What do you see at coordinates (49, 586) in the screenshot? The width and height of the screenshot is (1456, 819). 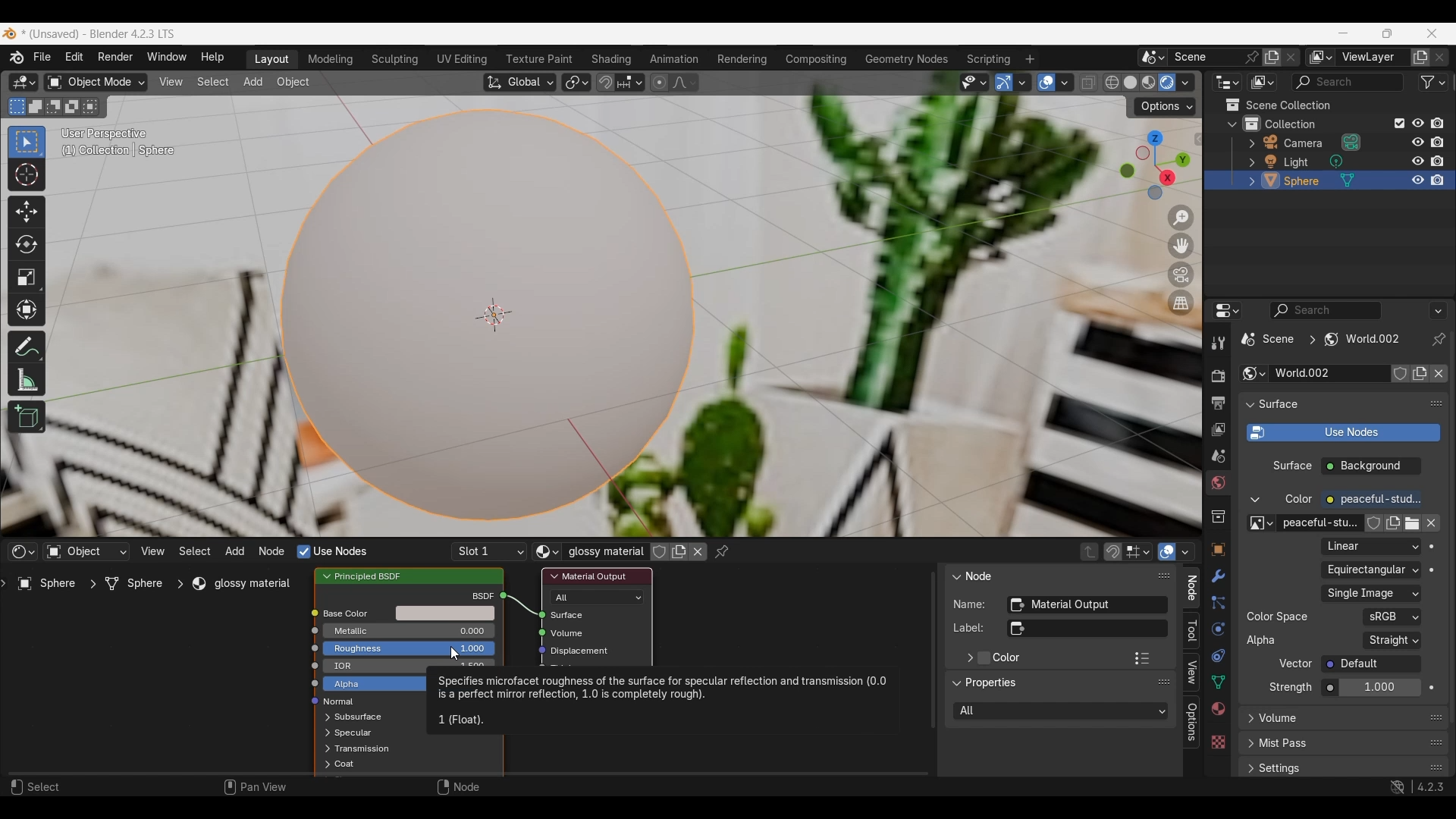 I see `Sphere ` at bounding box center [49, 586].